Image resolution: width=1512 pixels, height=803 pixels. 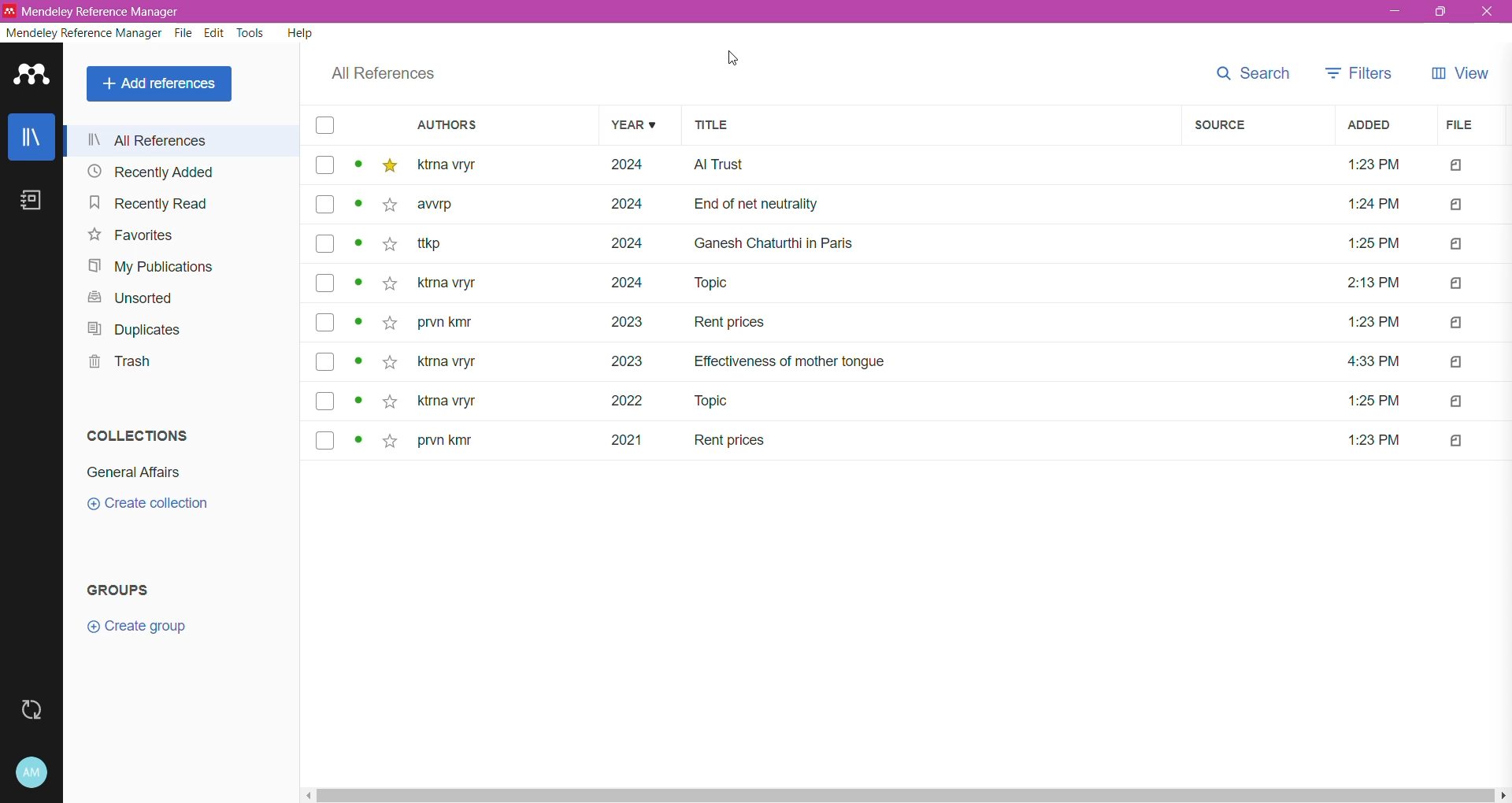 What do you see at coordinates (161, 83) in the screenshot?
I see `Add References` at bounding box center [161, 83].